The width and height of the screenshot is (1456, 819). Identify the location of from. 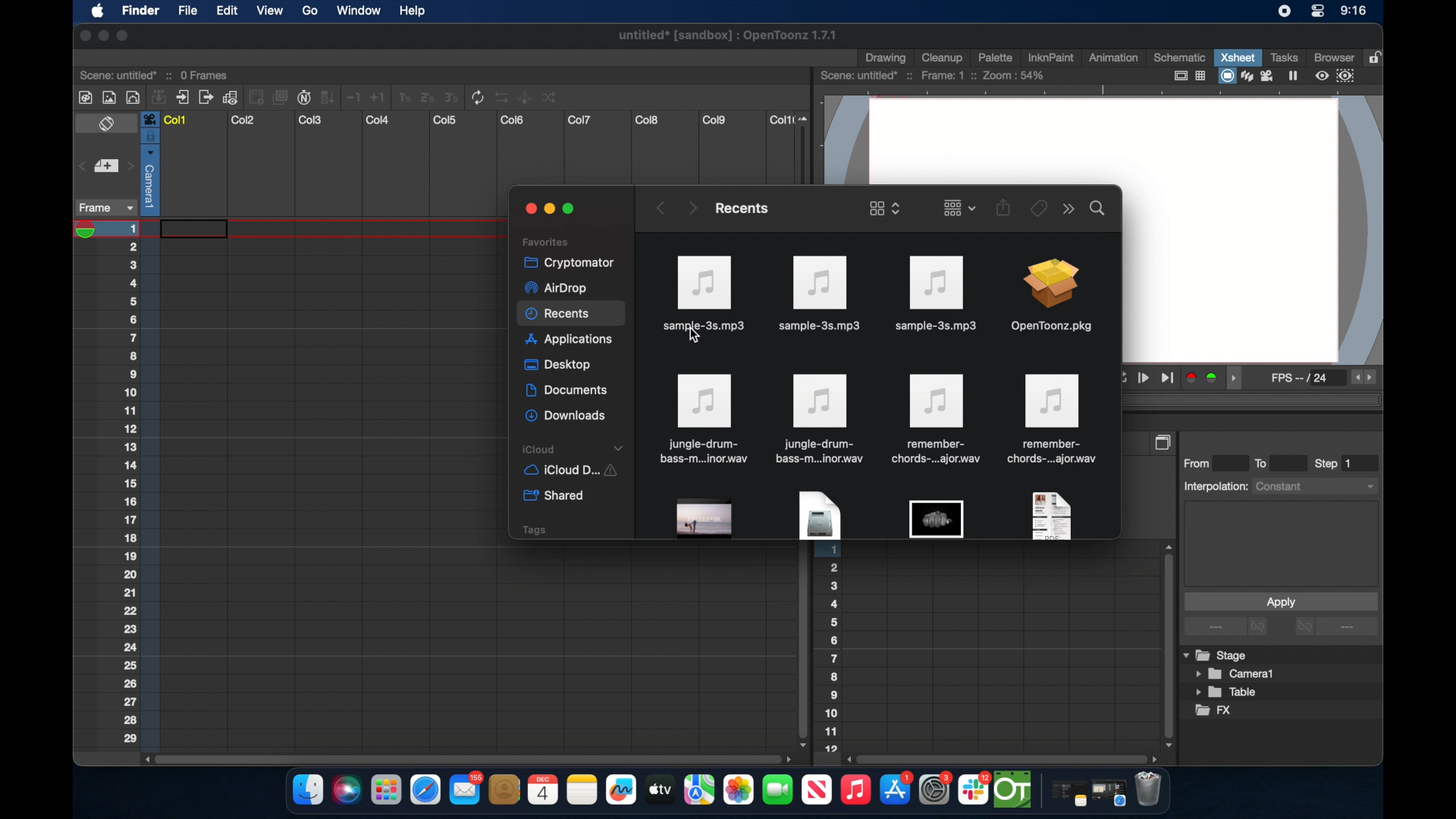
(1200, 463).